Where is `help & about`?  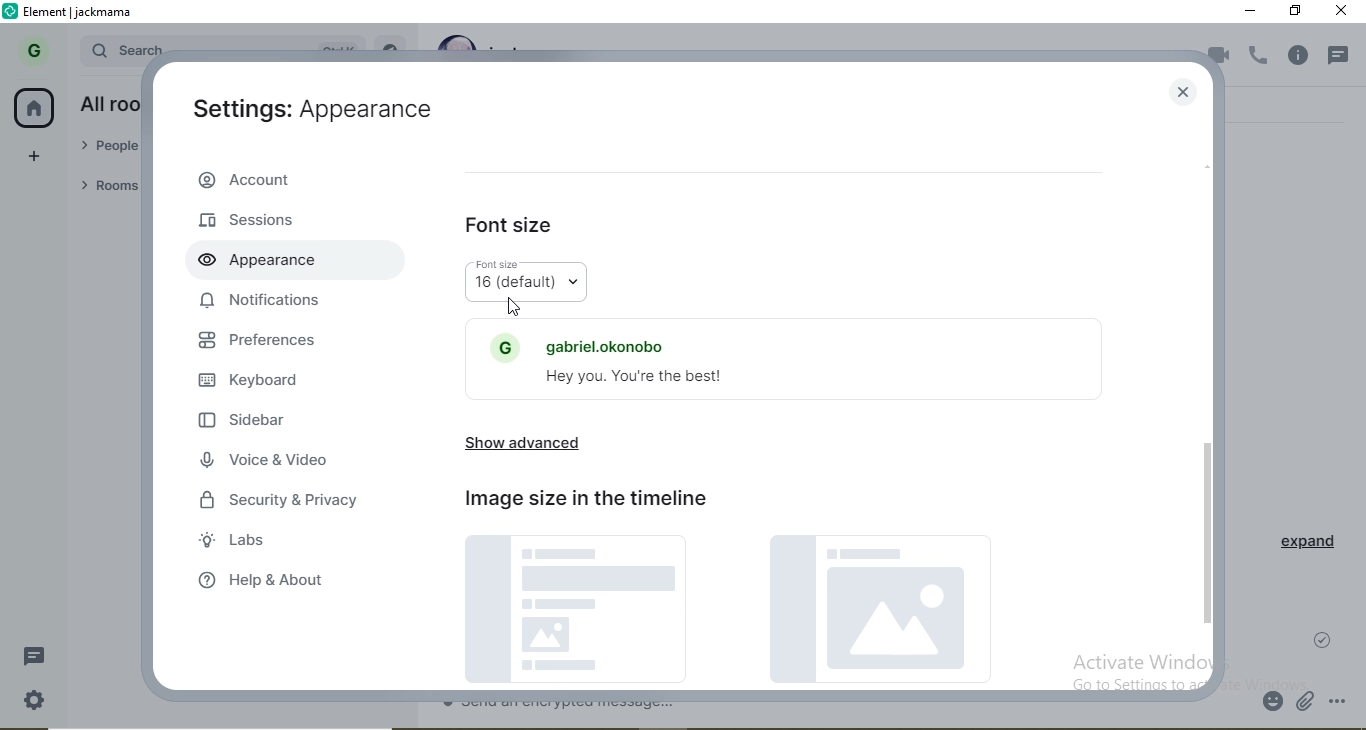 help & about is located at coordinates (273, 583).